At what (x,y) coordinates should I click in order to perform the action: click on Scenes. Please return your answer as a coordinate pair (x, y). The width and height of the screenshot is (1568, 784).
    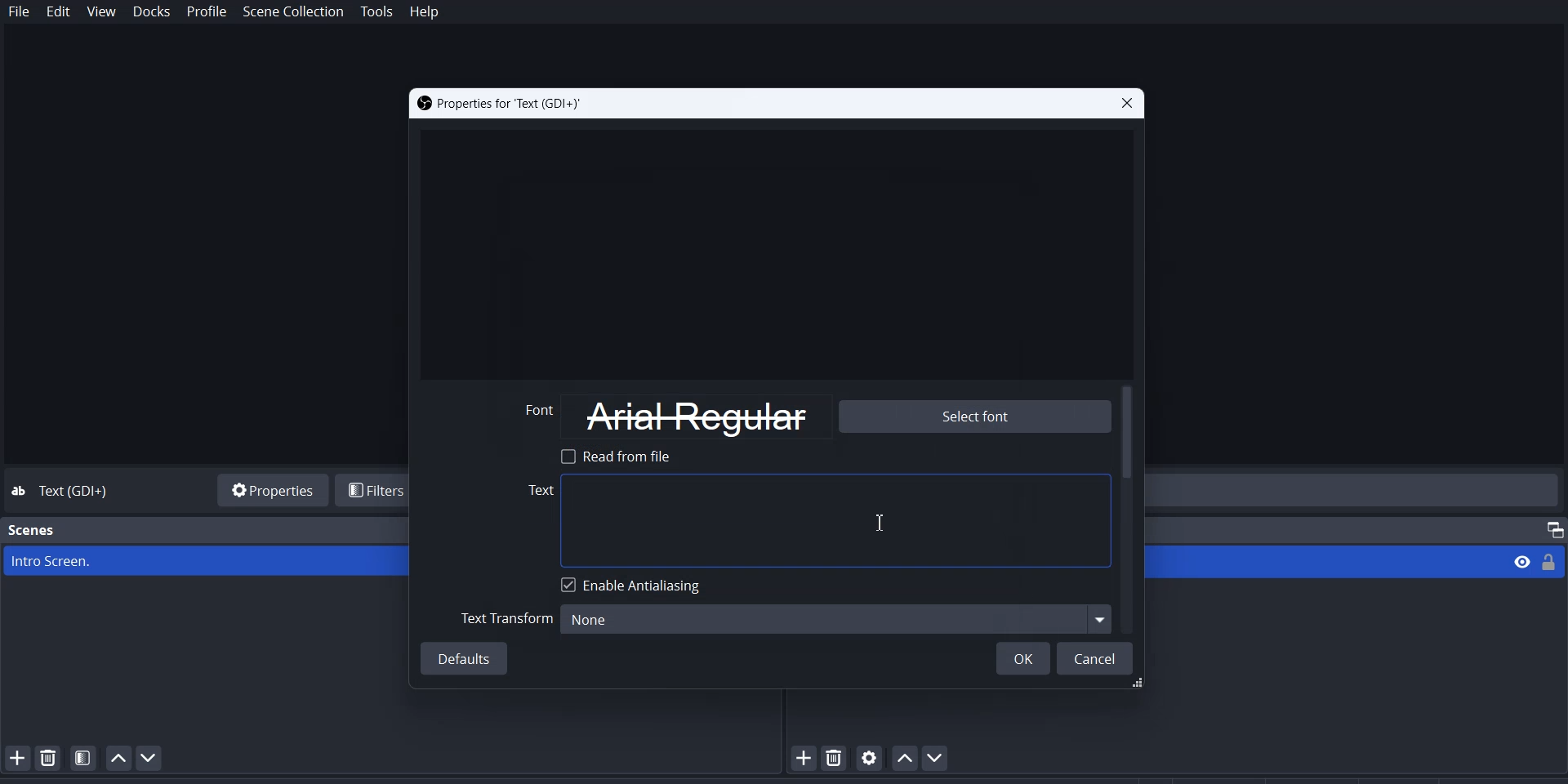
    Looking at the image, I should click on (206, 561).